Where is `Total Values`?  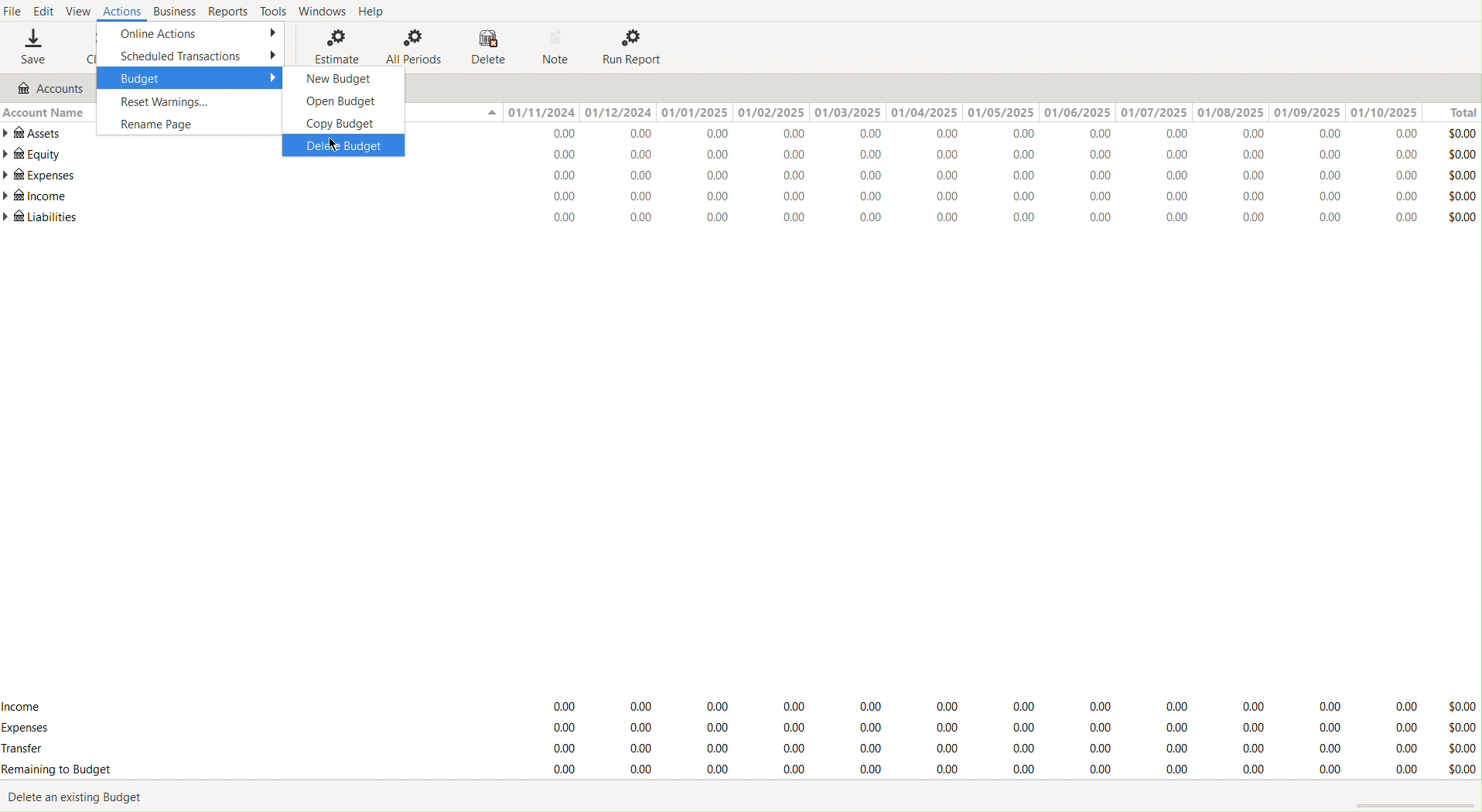 Total Values is located at coordinates (1463, 173).